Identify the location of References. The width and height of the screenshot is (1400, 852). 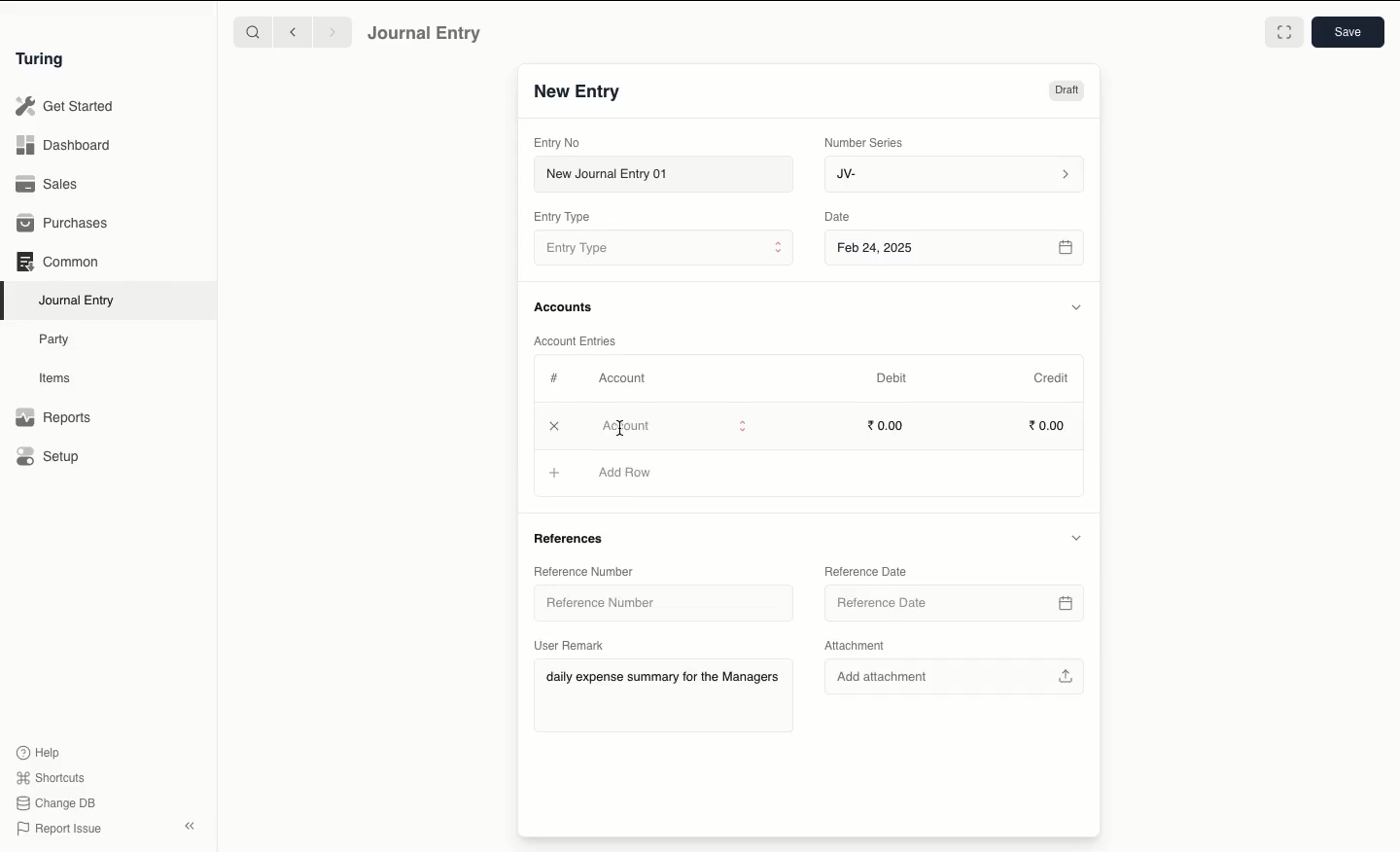
(577, 537).